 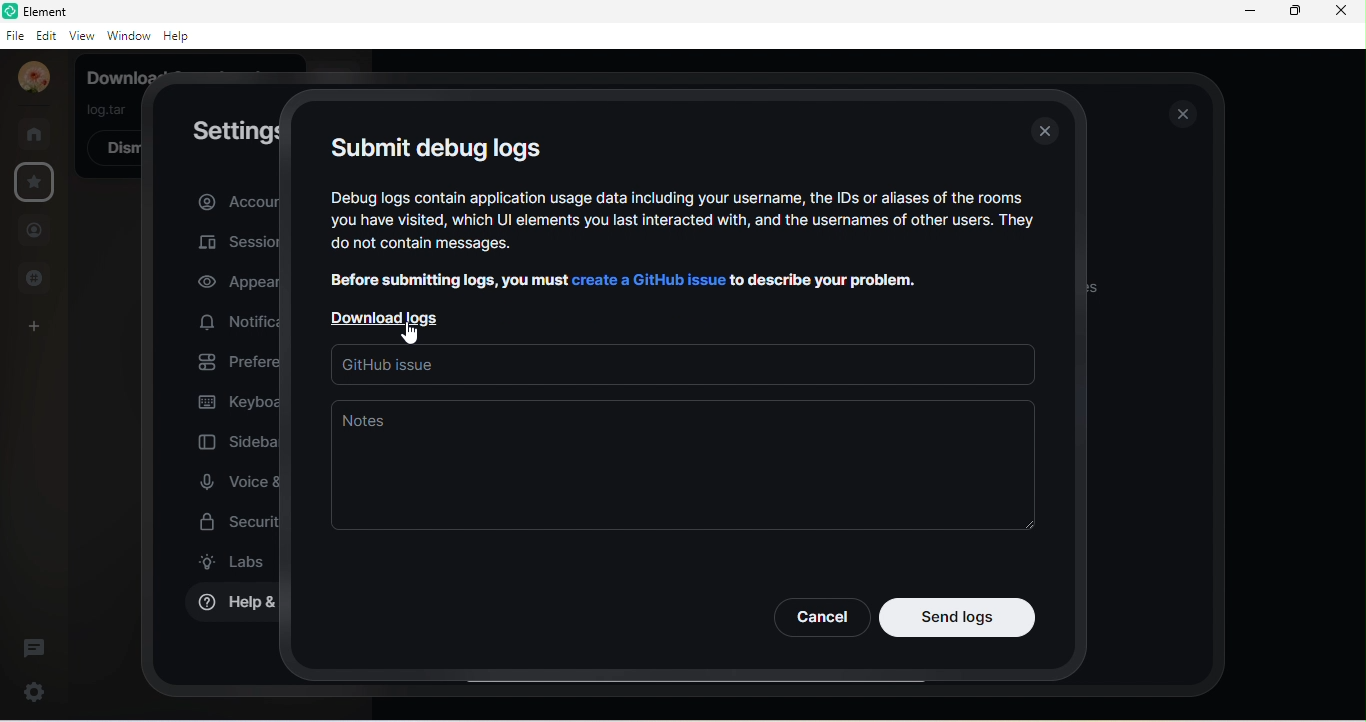 What do you see at coordinates (54, 11) in the screenshot?
I see `Element` at bounding box center [54, 11].